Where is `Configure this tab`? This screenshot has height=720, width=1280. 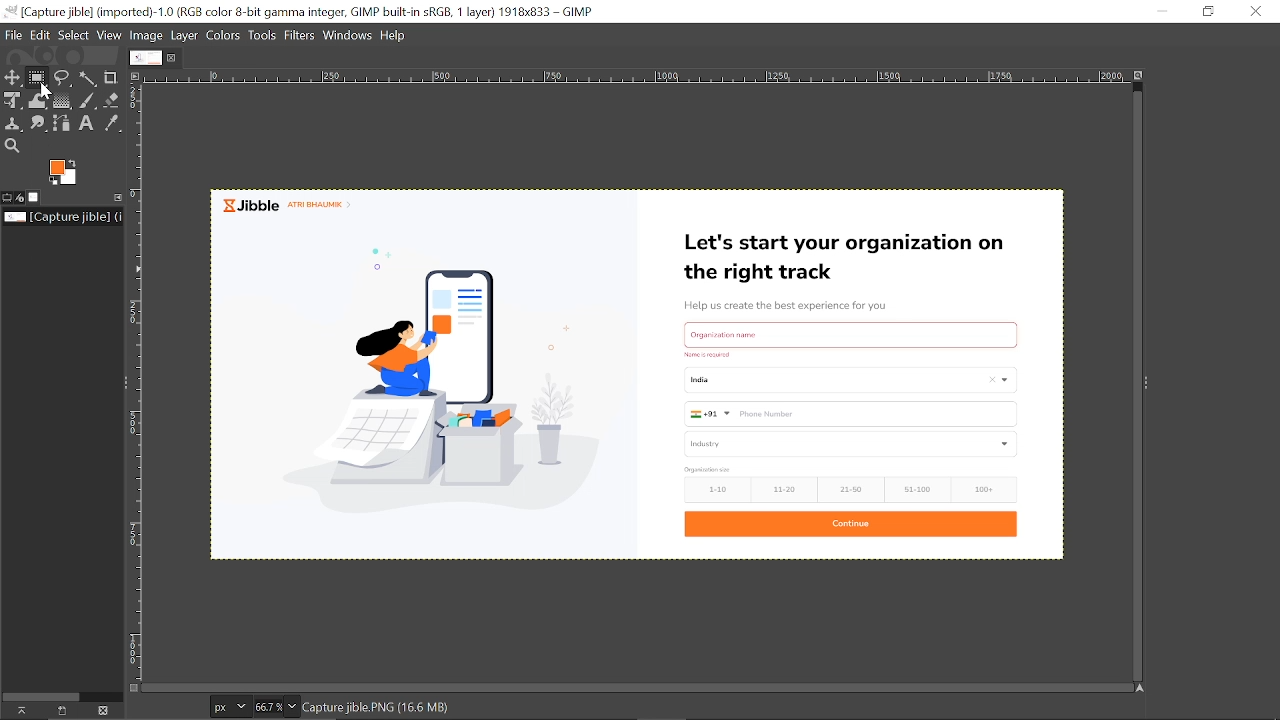
Configure this tab is located at coordinates (119, 196).